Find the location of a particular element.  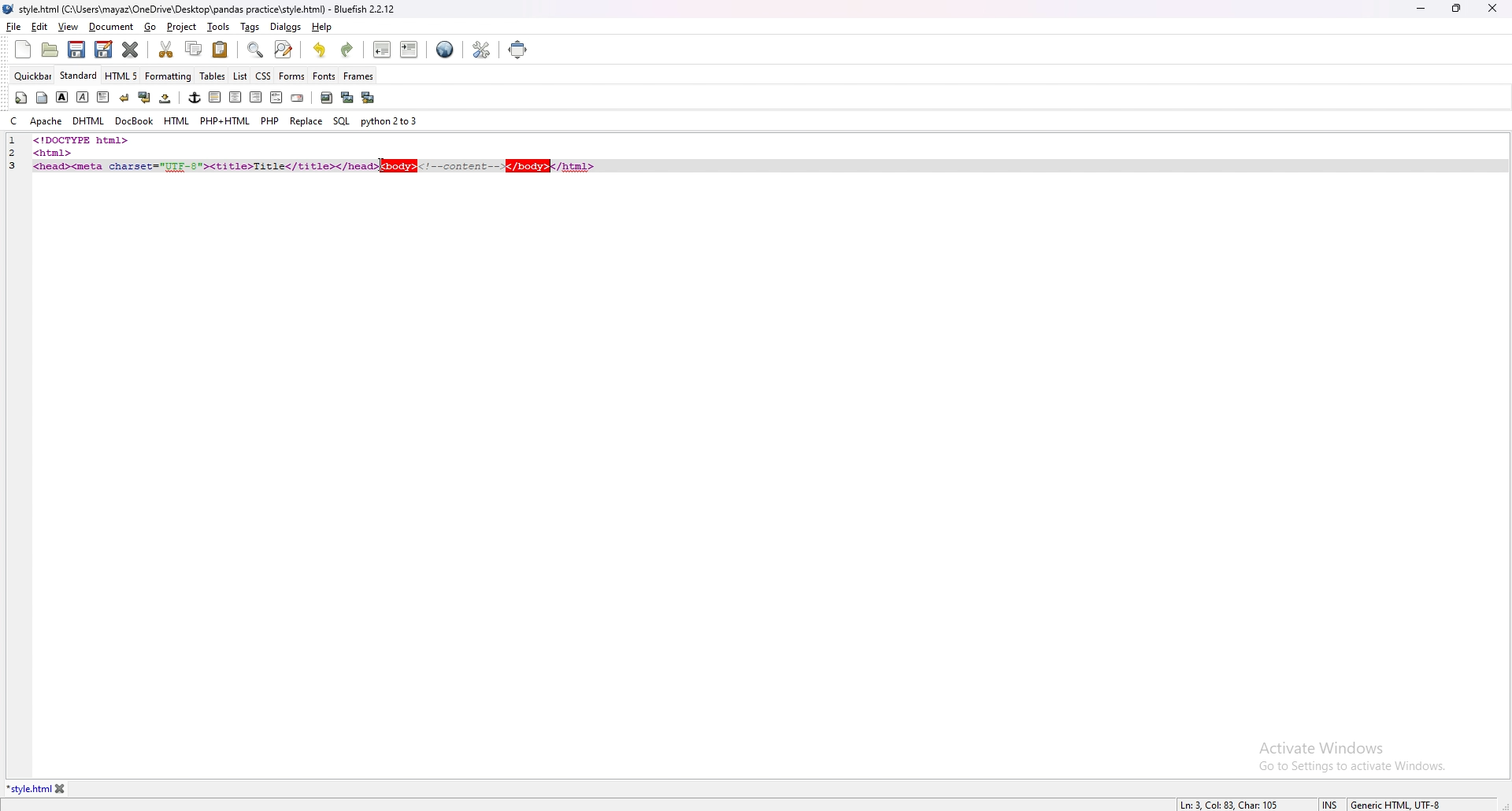

tools is located at coordinates (219, 27).